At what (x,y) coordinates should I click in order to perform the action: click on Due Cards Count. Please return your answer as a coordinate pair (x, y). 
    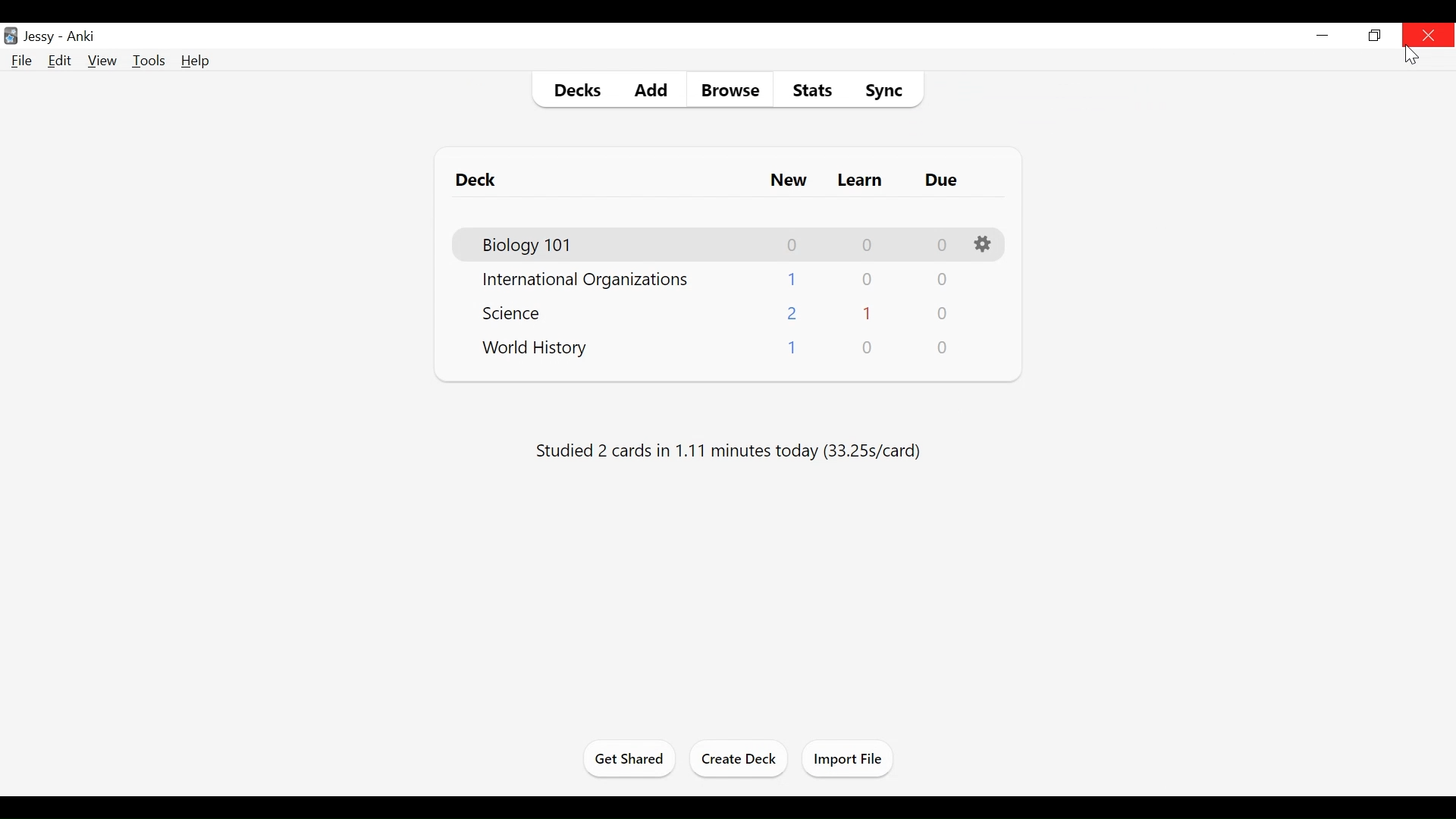
    Looking at the image, I should click on (943, 280).